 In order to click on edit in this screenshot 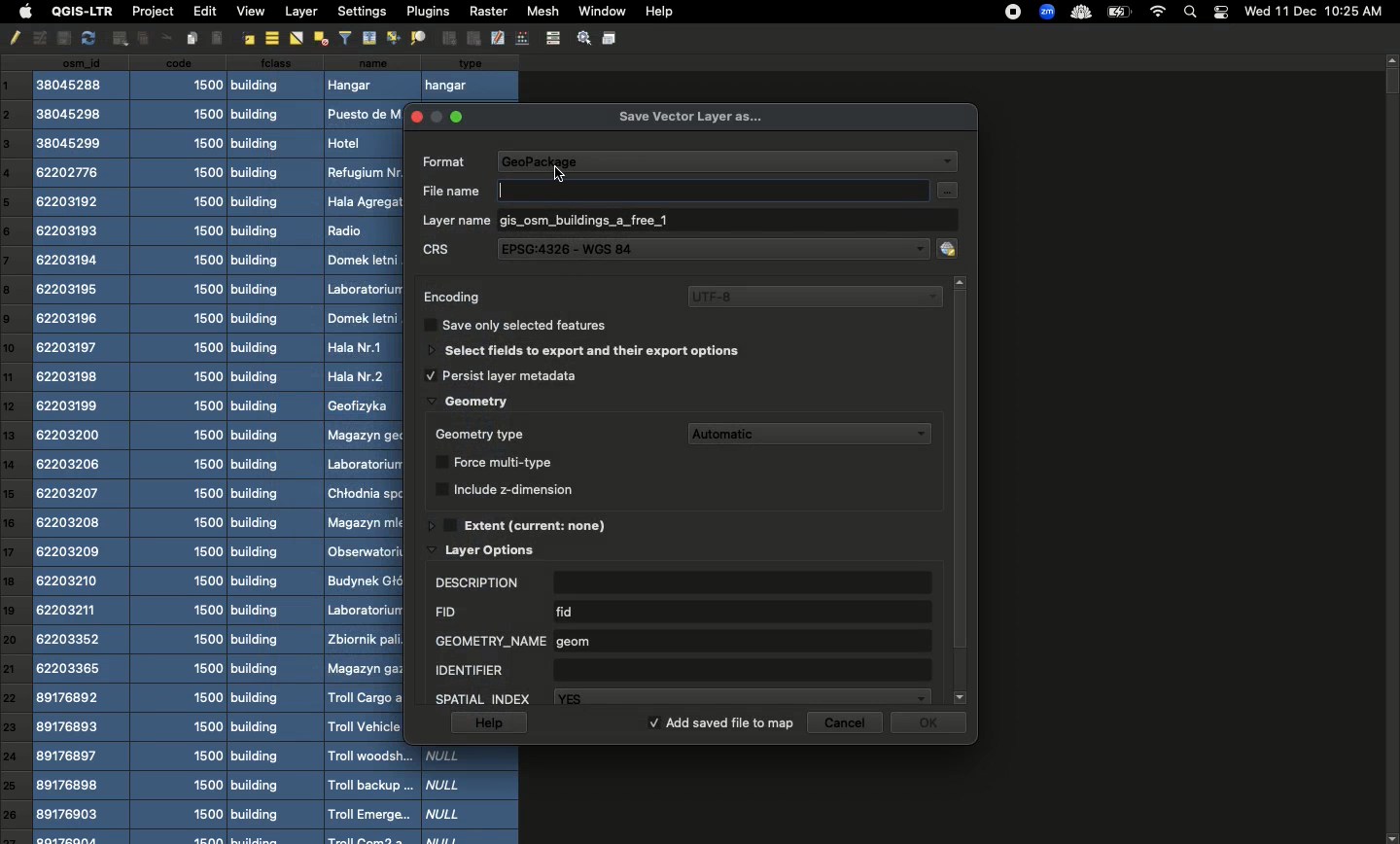, I will do `click(498, 38)`.